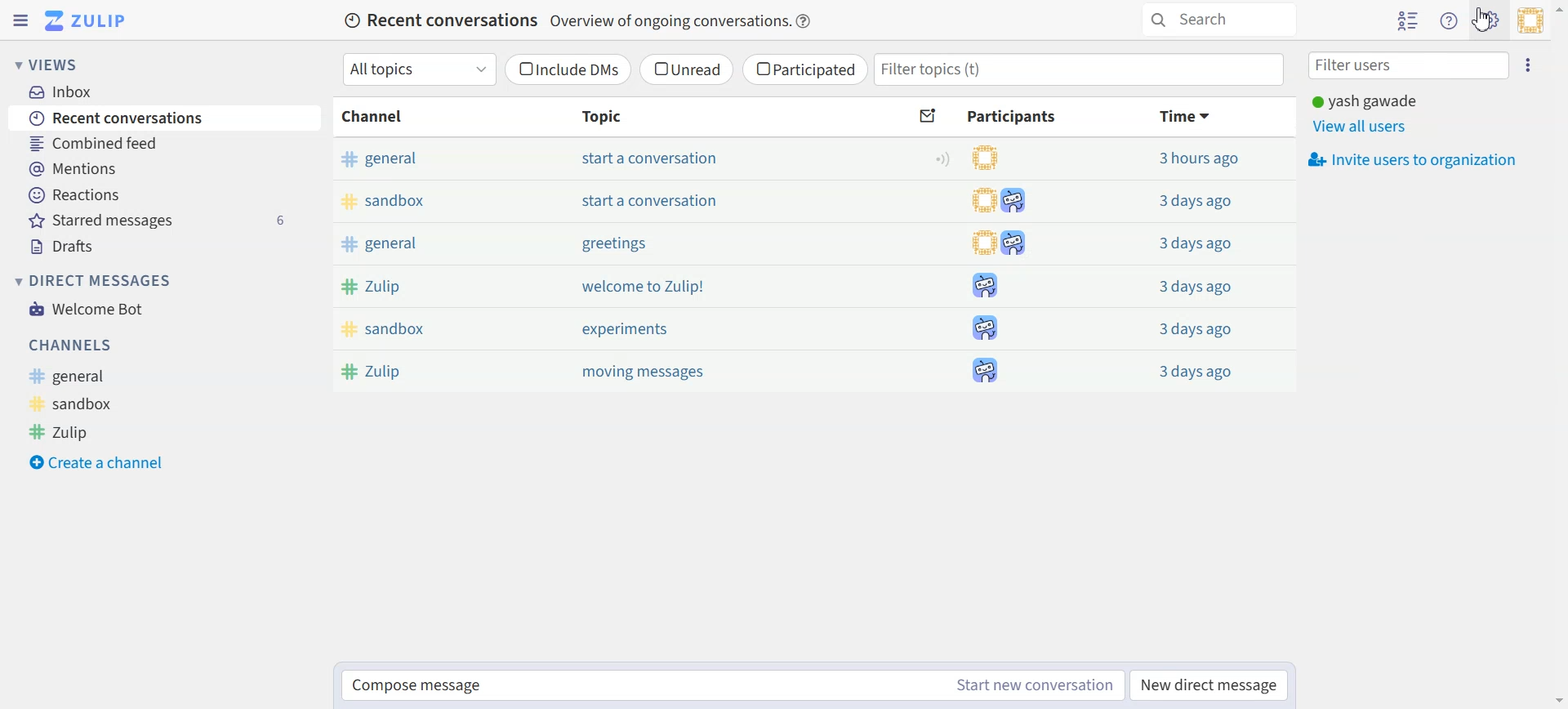  What do you see at coordinates (617, 244) in the screenshot?
I see `greetings` at bounding box center [617, 244].